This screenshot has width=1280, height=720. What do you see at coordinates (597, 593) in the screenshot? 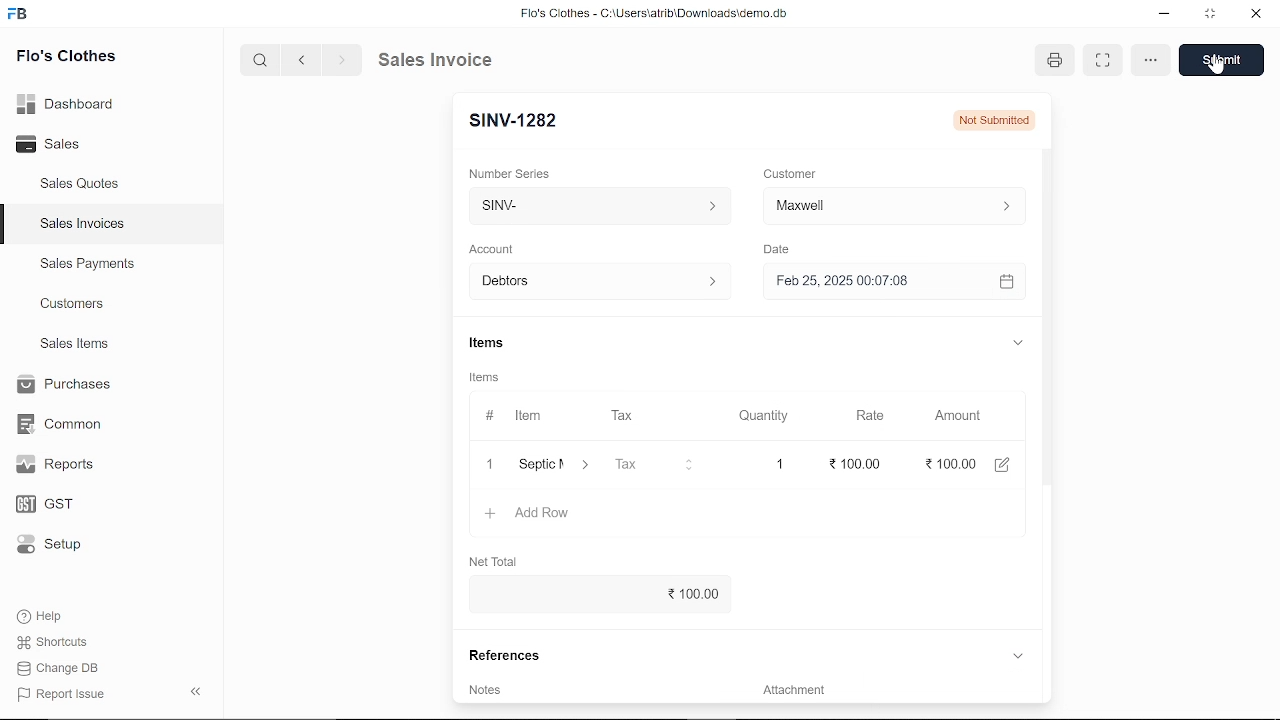
I see `0.00` at bounding box center [597, 593].